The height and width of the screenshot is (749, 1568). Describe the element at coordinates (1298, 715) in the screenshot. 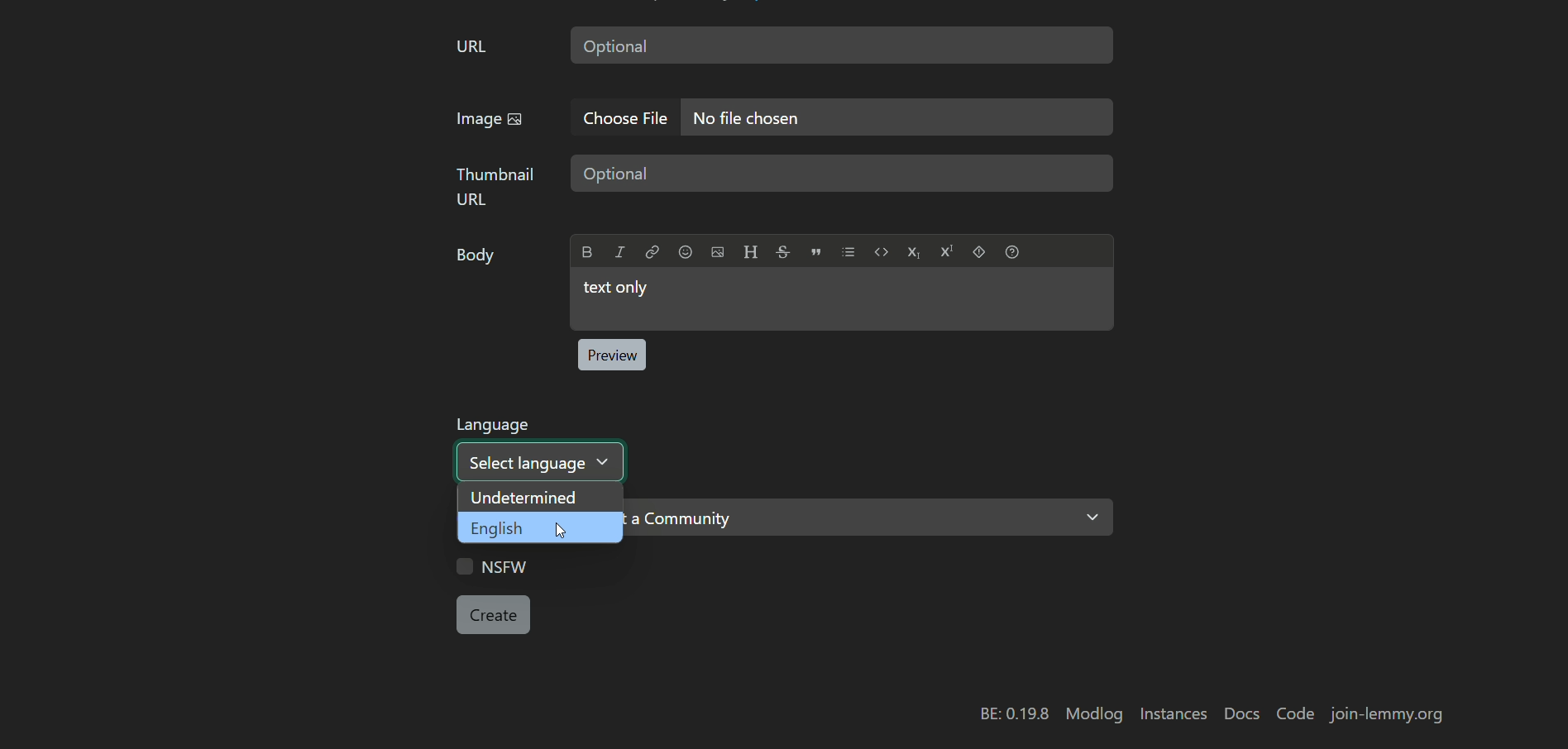

I see `code` at that location.